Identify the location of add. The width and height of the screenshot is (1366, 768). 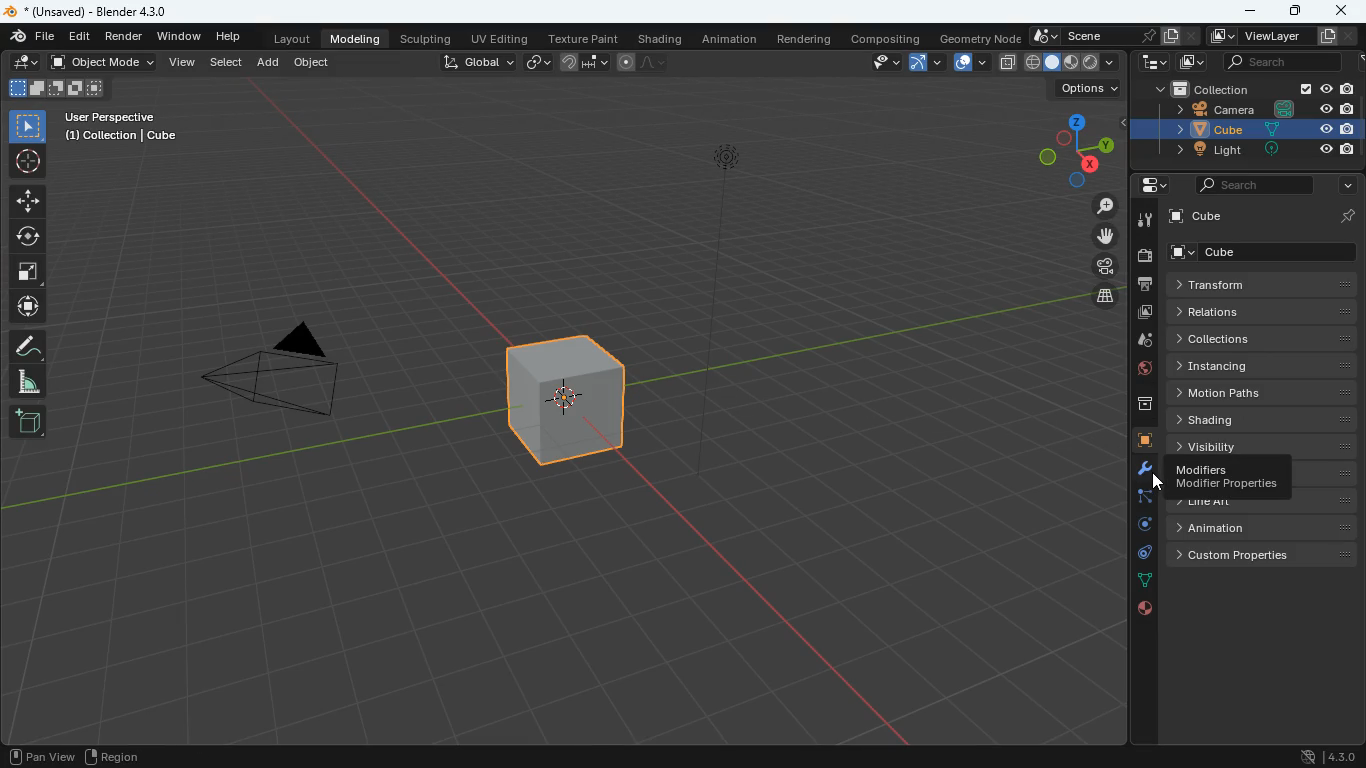
(266, 63).